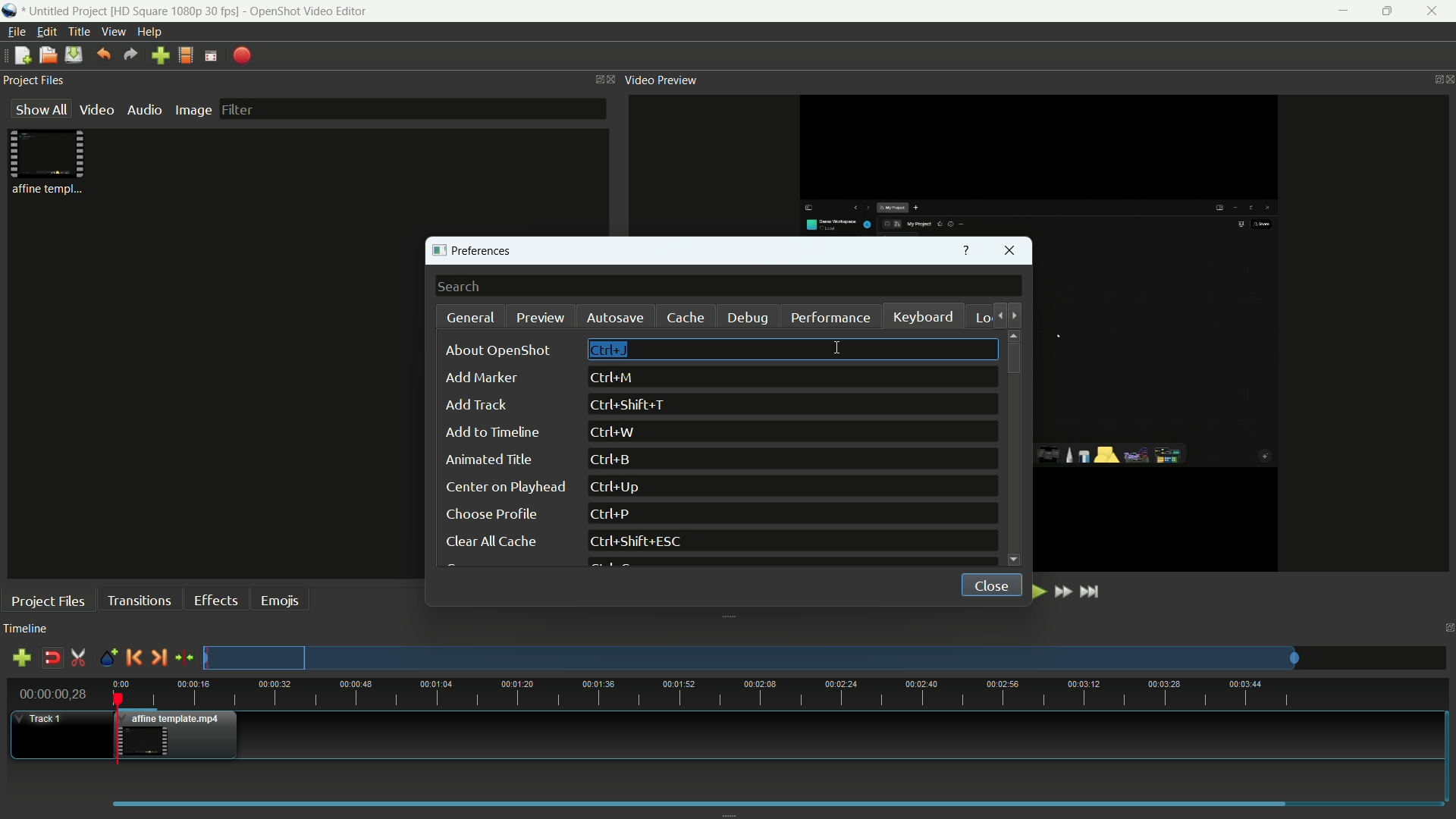 This screenshot has height=819, width=1456. I want to click on animated title, so click(491, 460).